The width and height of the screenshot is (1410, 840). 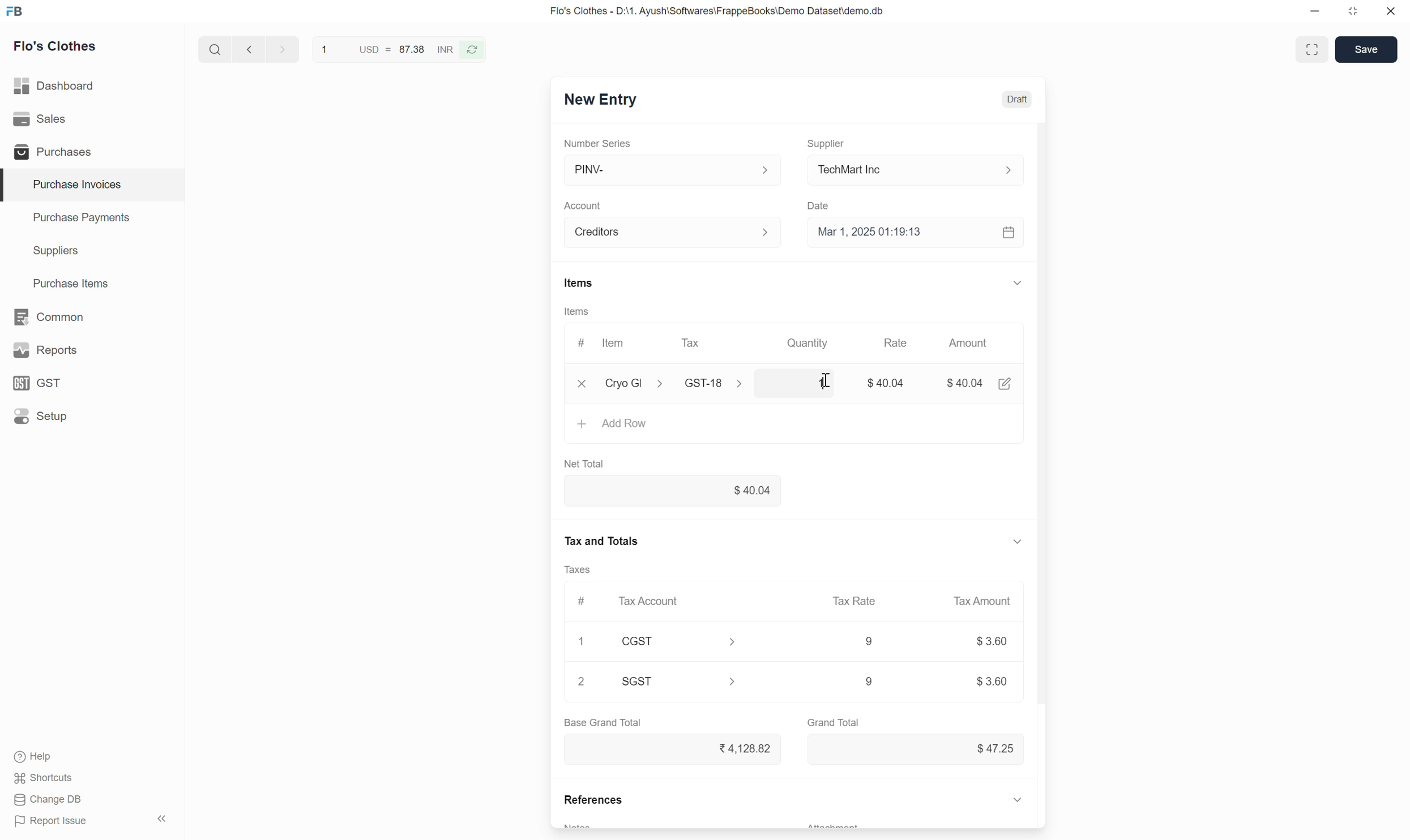 I want to click on Rs. 4,128.82, so click(x=740, y=747).